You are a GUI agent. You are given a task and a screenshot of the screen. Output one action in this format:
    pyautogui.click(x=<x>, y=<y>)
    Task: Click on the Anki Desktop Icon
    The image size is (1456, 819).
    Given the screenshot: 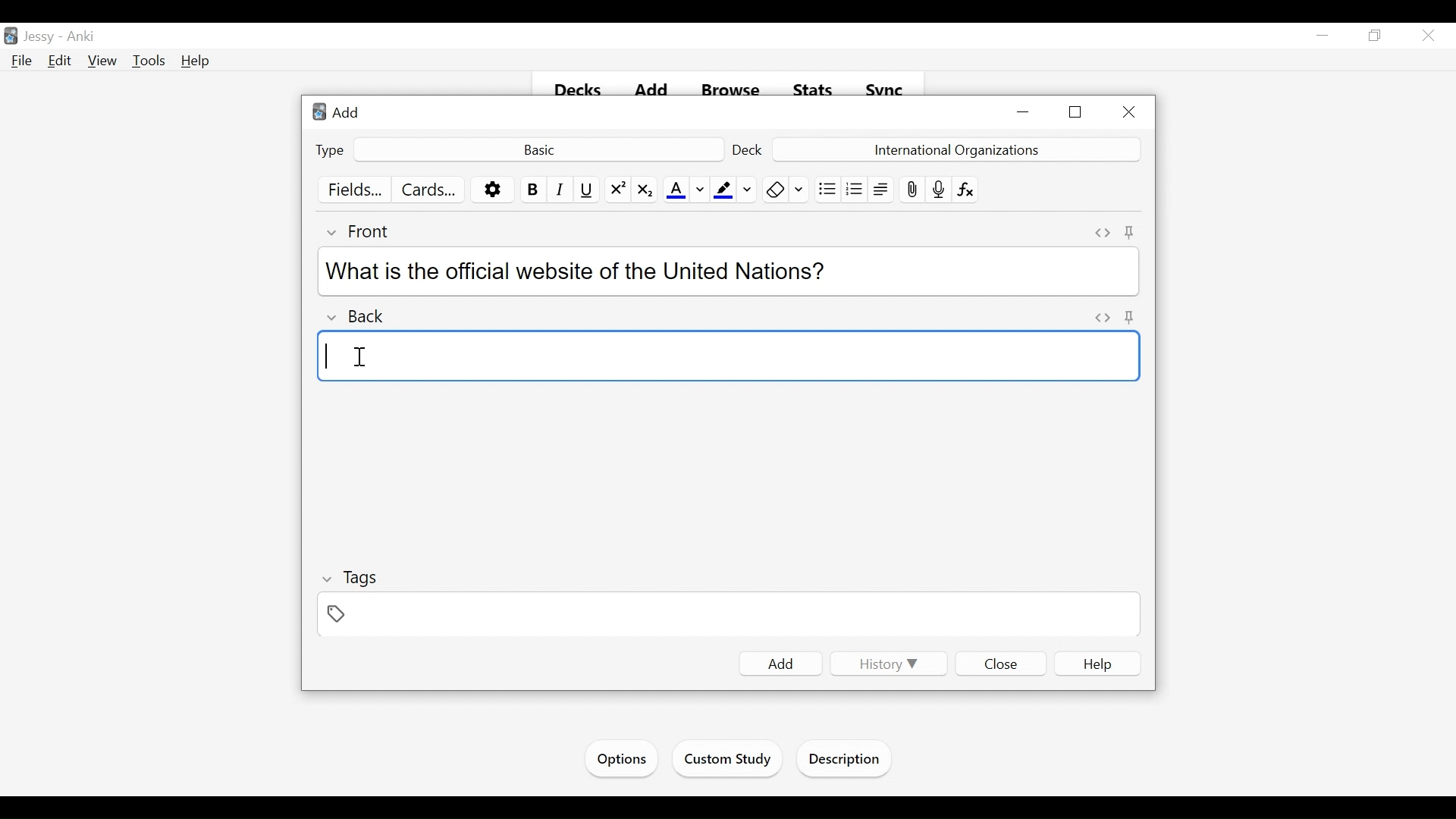 What is the action you would take?
    pyautogui.click(x=318, y=112)
    